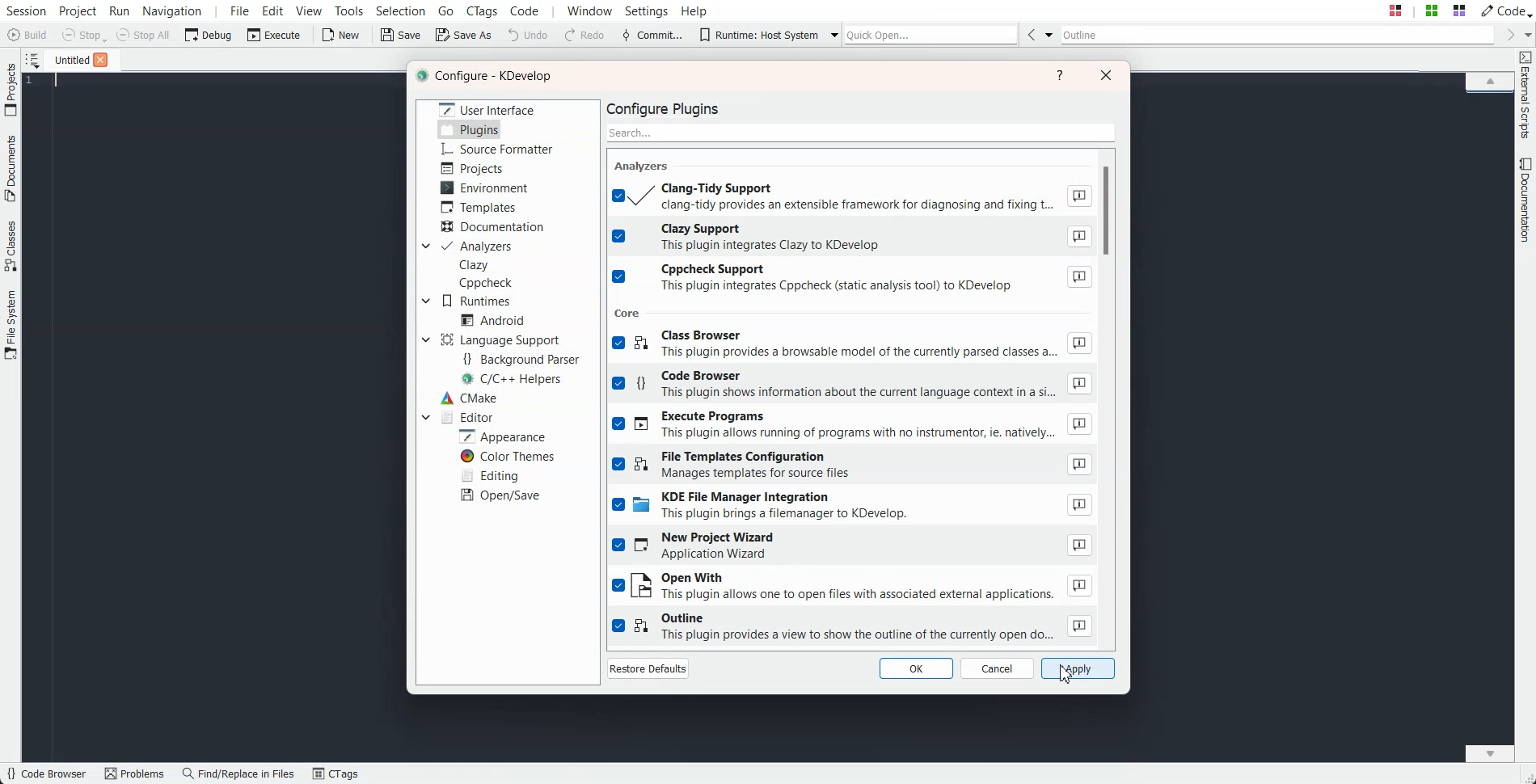  Describe the element at coordinates (479, 207) in the screenshot. I see `Templates` at that location.